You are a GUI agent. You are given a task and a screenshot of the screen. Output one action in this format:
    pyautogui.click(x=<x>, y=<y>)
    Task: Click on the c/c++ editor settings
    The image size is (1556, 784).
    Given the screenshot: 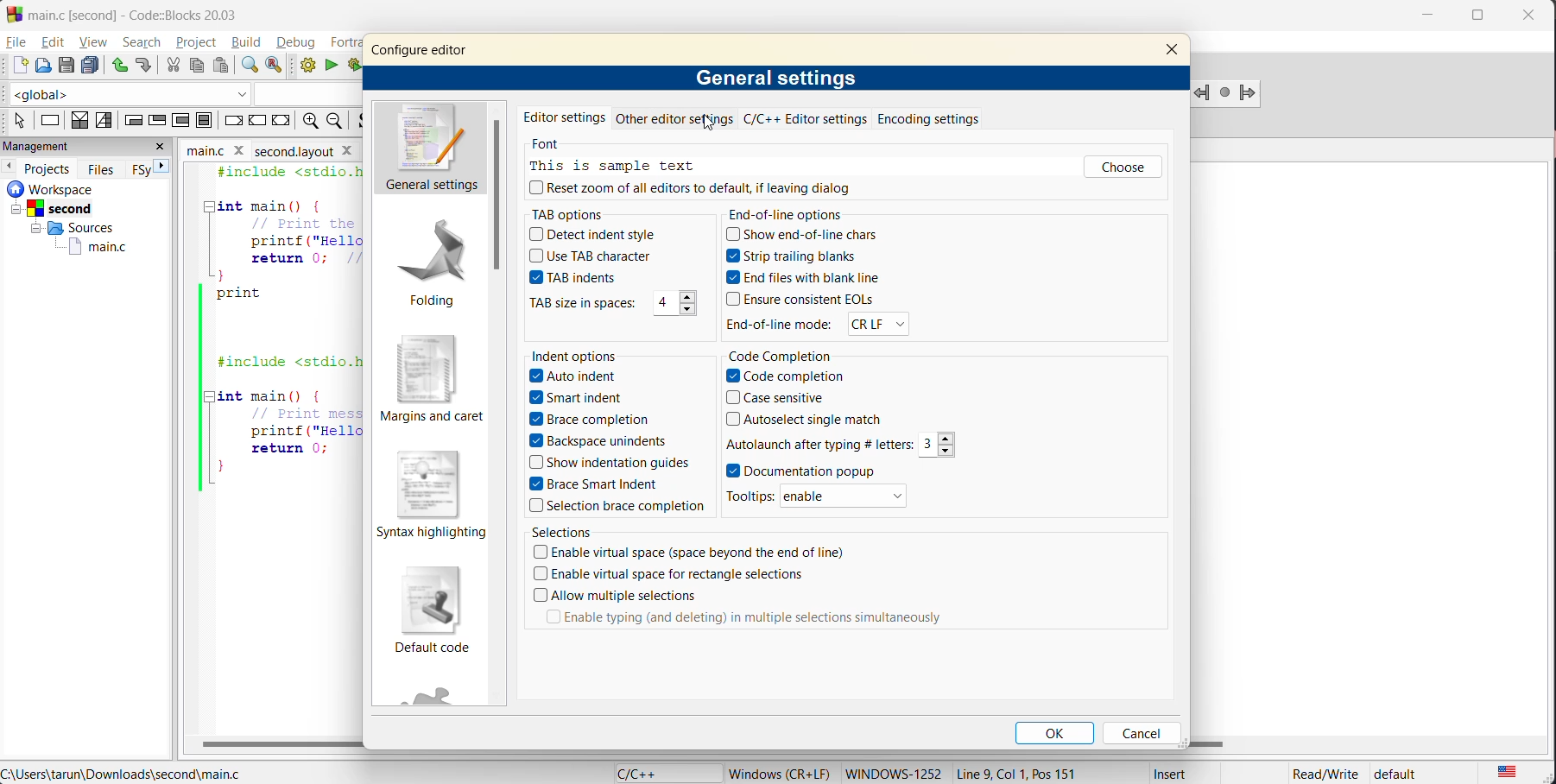 What is the action you would take?
    pyautogui.click(x=806, y=118)
    